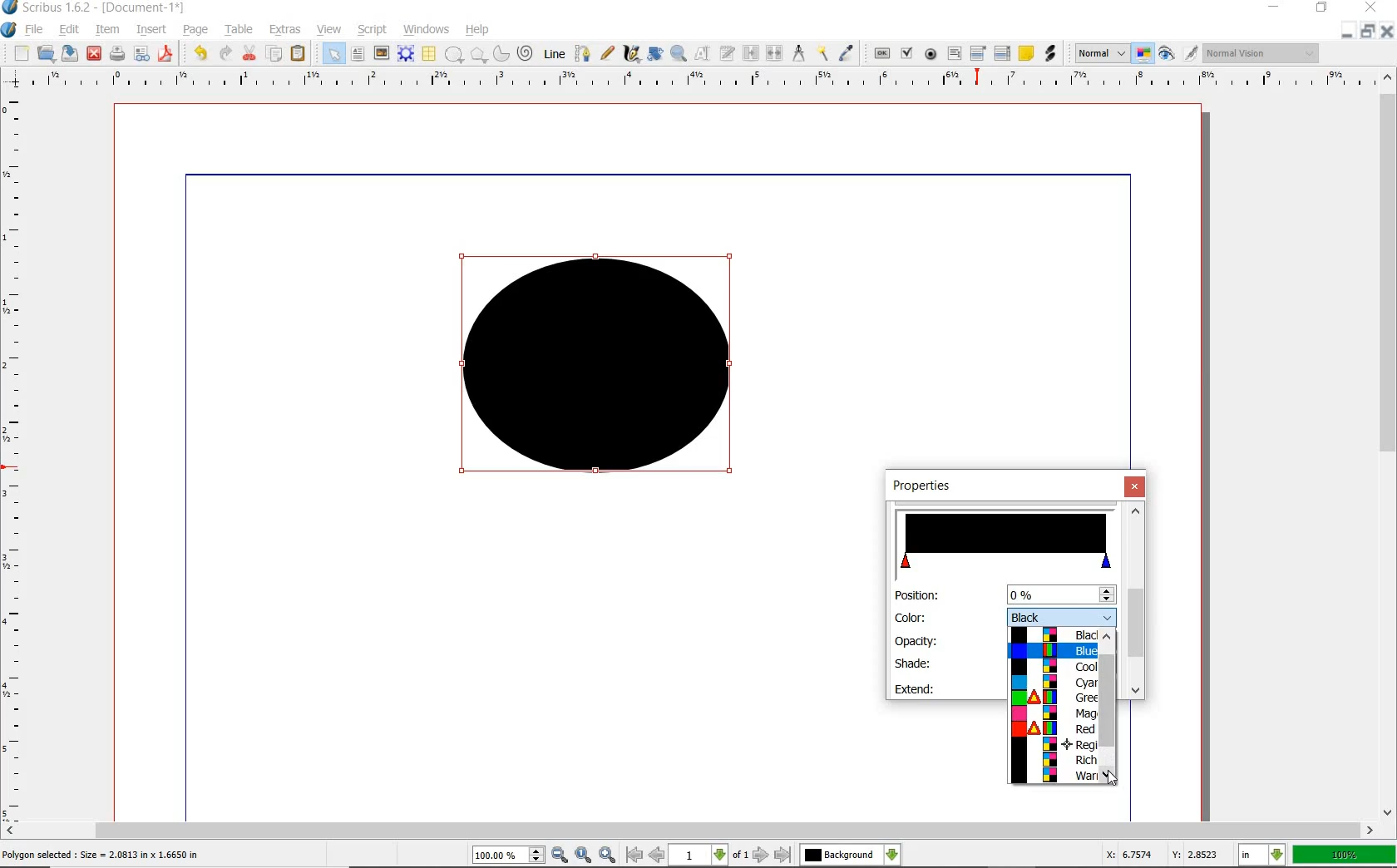  I want to click on TOGGLE COLOR MANAGEMENT SYSTEM, so click(1144, 53).